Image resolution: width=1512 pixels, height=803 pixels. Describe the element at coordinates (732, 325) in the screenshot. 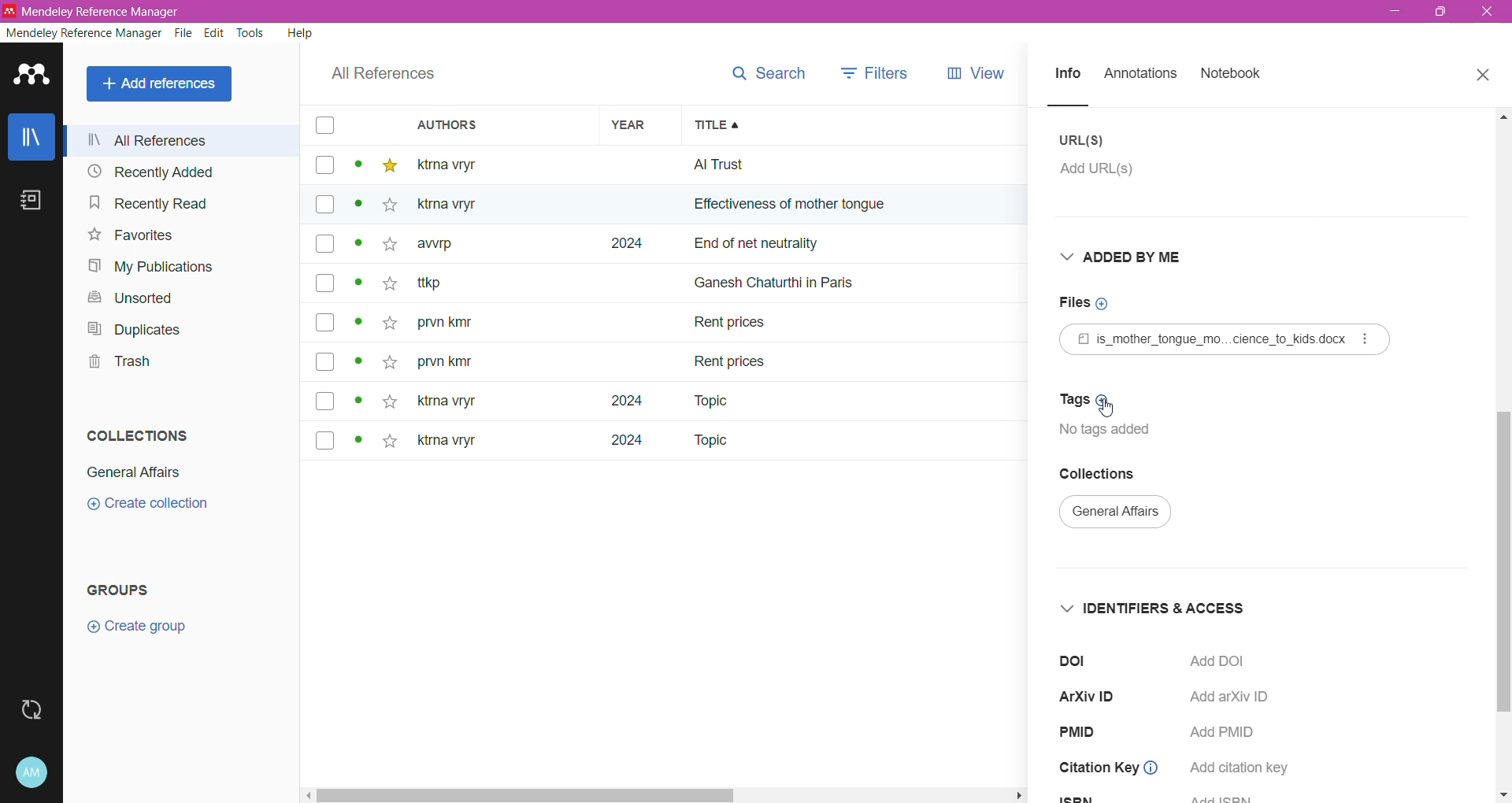

I see `Rent prices` at that location.